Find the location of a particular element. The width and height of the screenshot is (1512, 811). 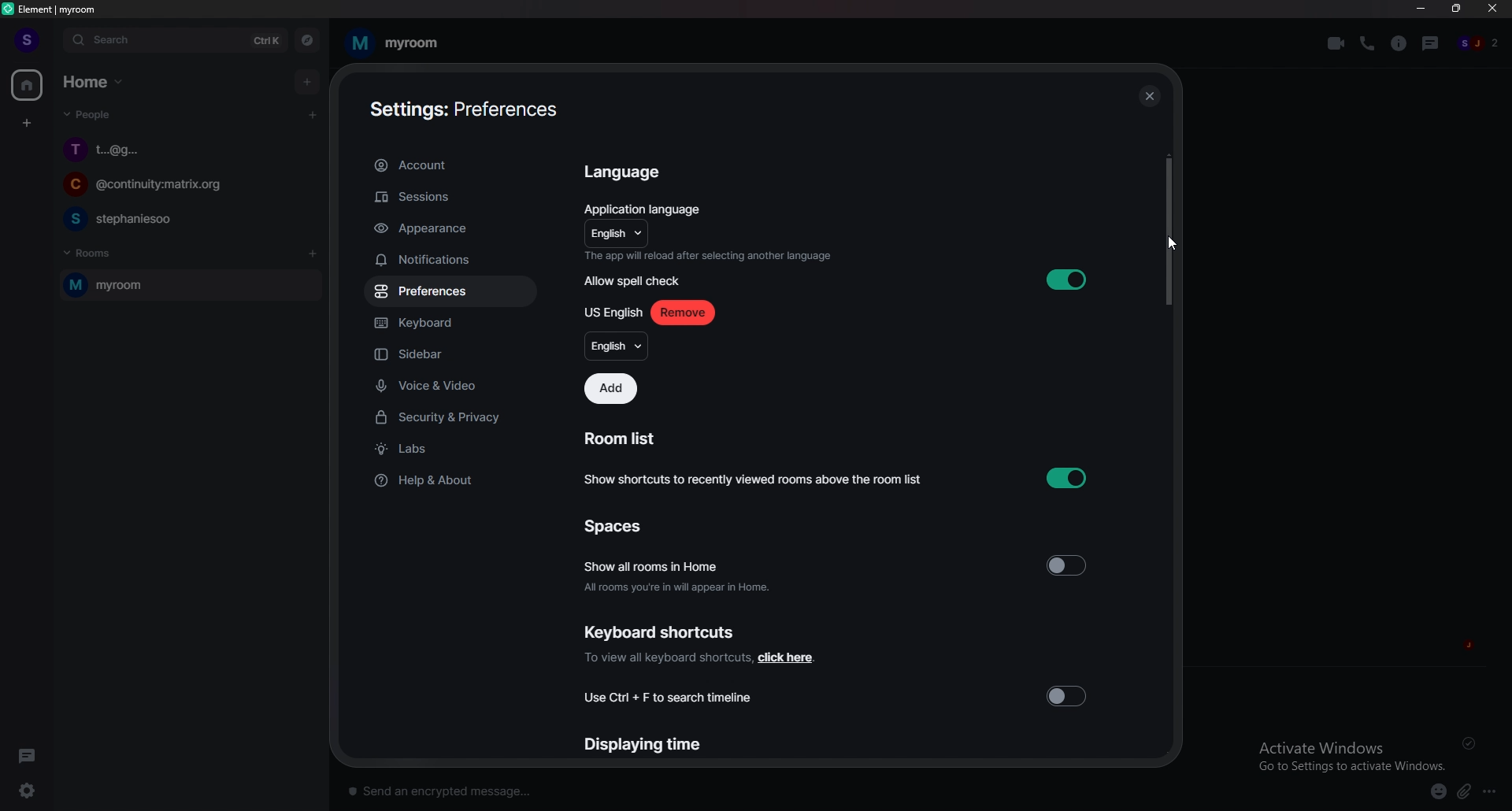

preference is located at coordinates (450, 292).